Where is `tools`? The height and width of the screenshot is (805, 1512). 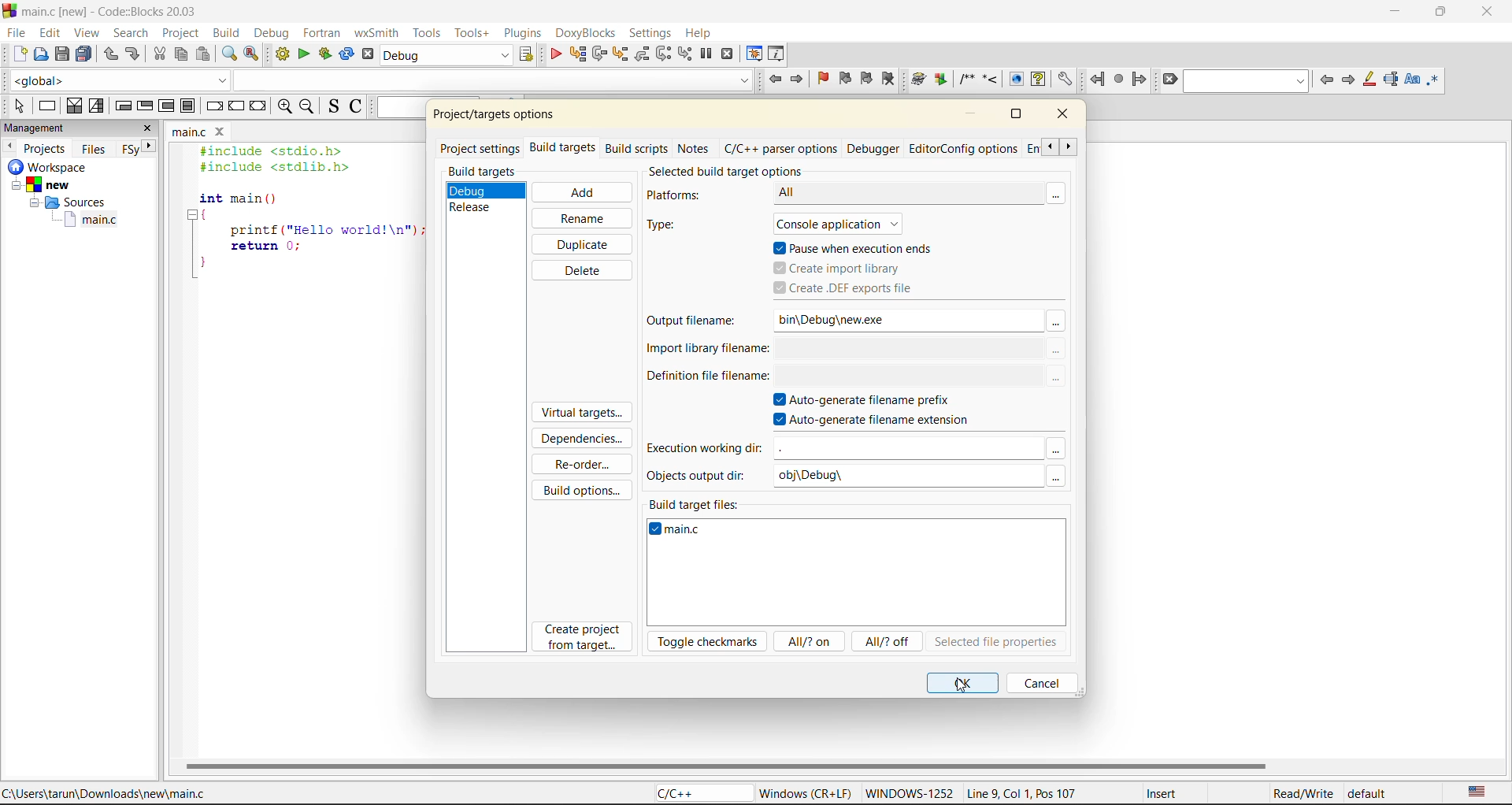
tools is located at coordinates (426, 34).